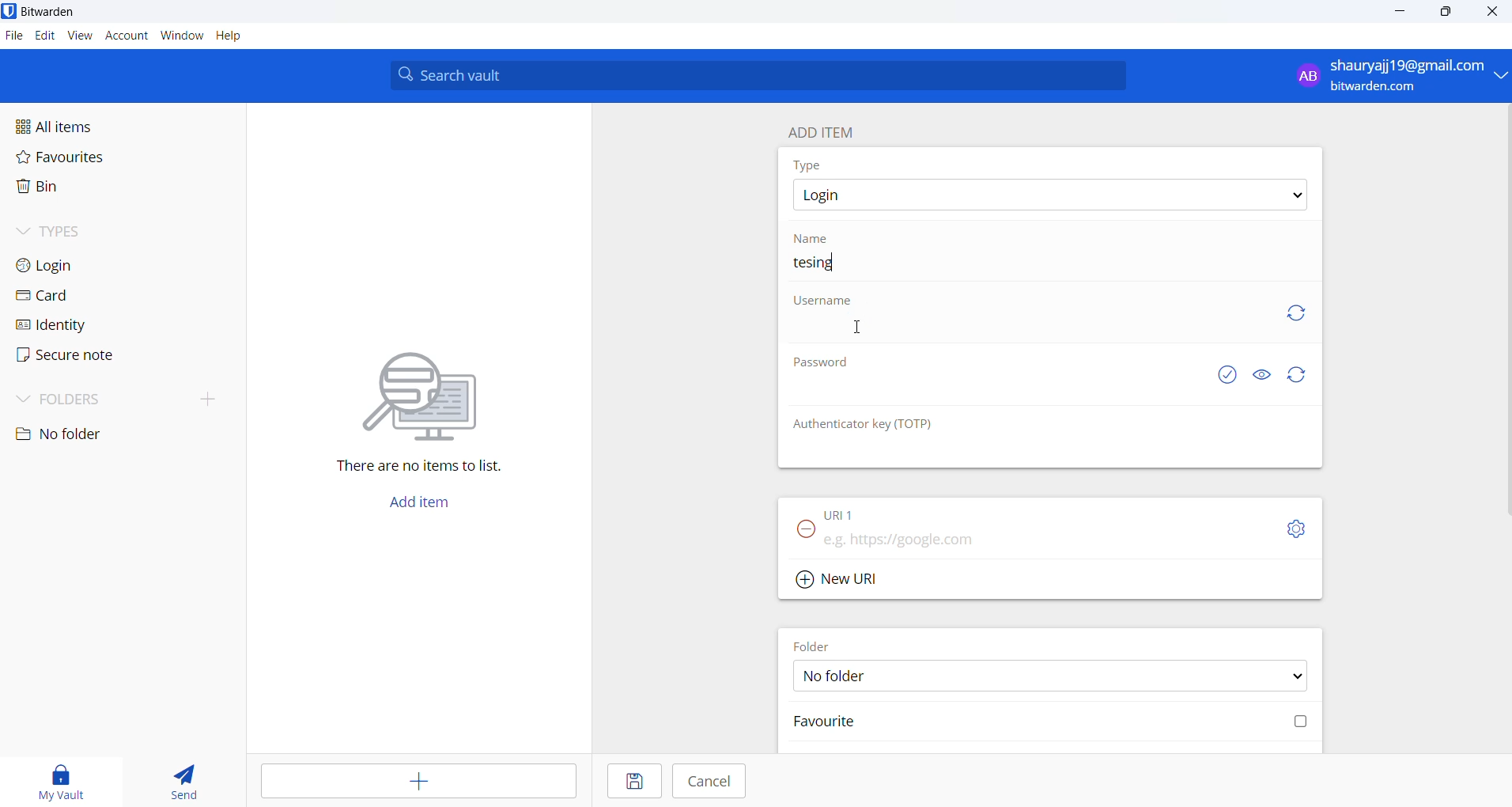 This screenshot has width=1512, height=807. I want to click on Refresh , so click(1304, 316).